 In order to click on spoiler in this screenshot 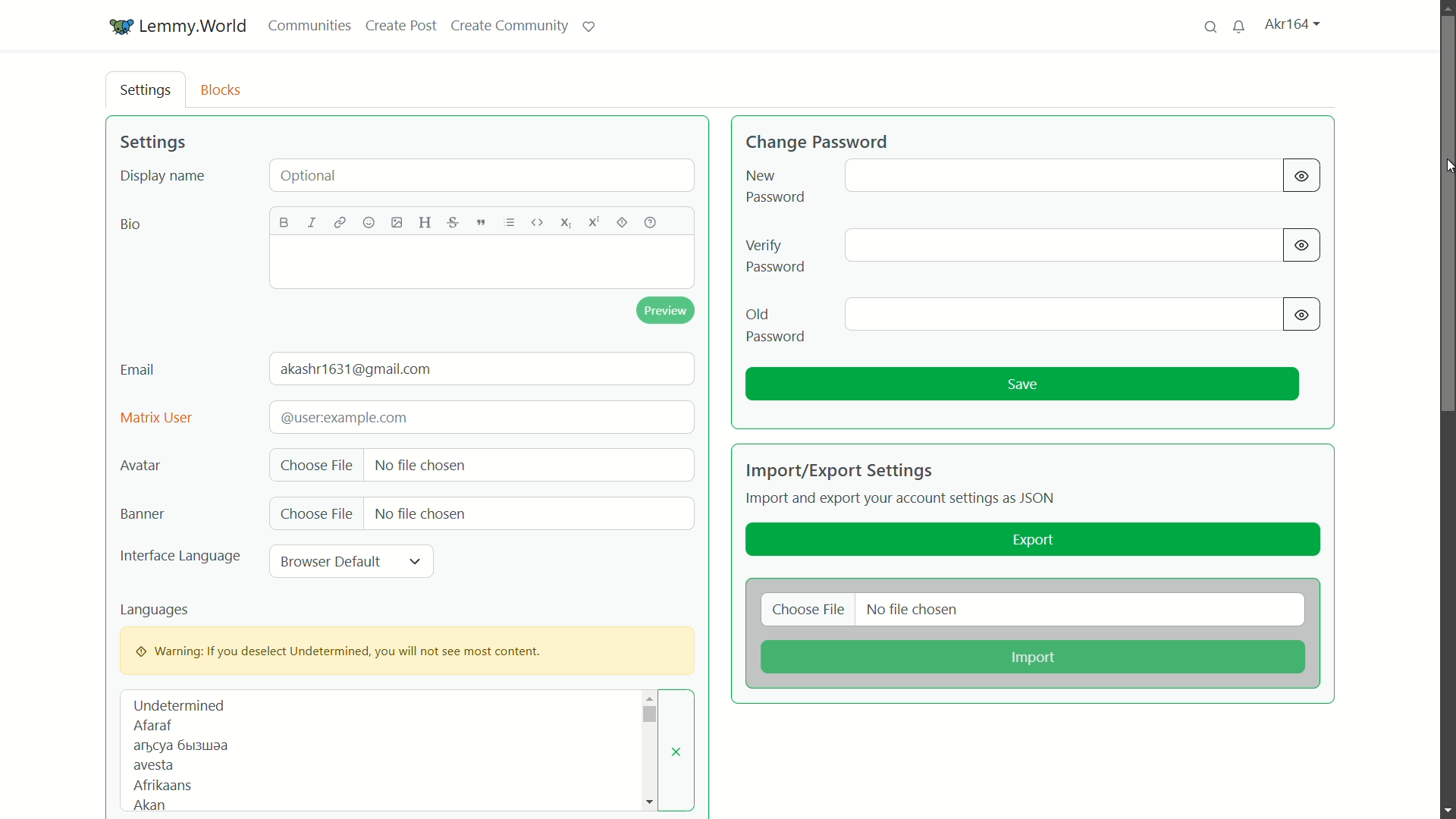, I will do `click(621, 224)`.